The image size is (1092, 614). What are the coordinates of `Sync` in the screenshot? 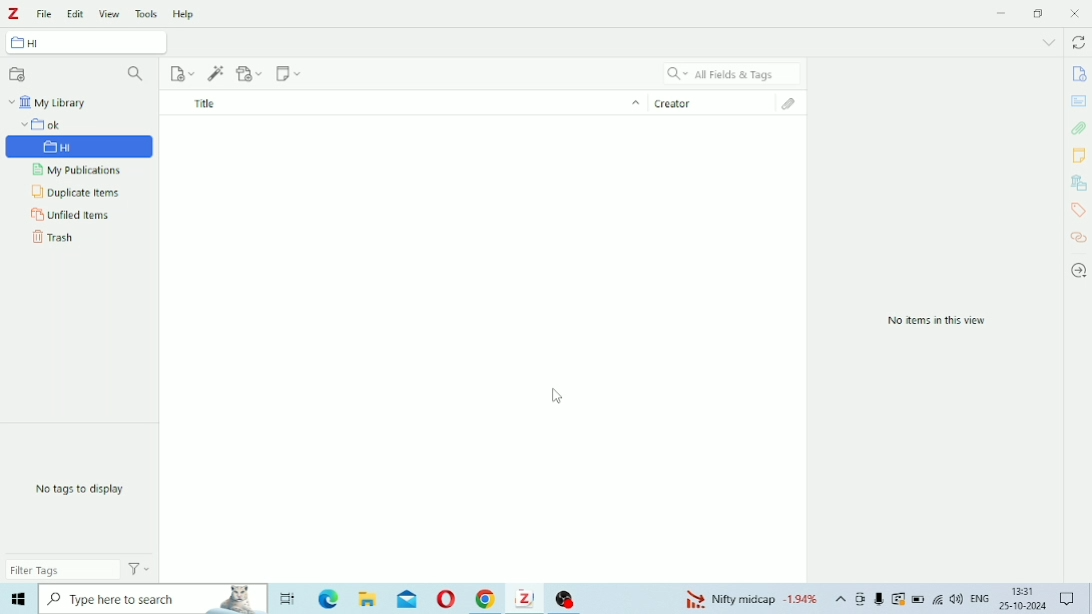 It's located at (1078, 42).